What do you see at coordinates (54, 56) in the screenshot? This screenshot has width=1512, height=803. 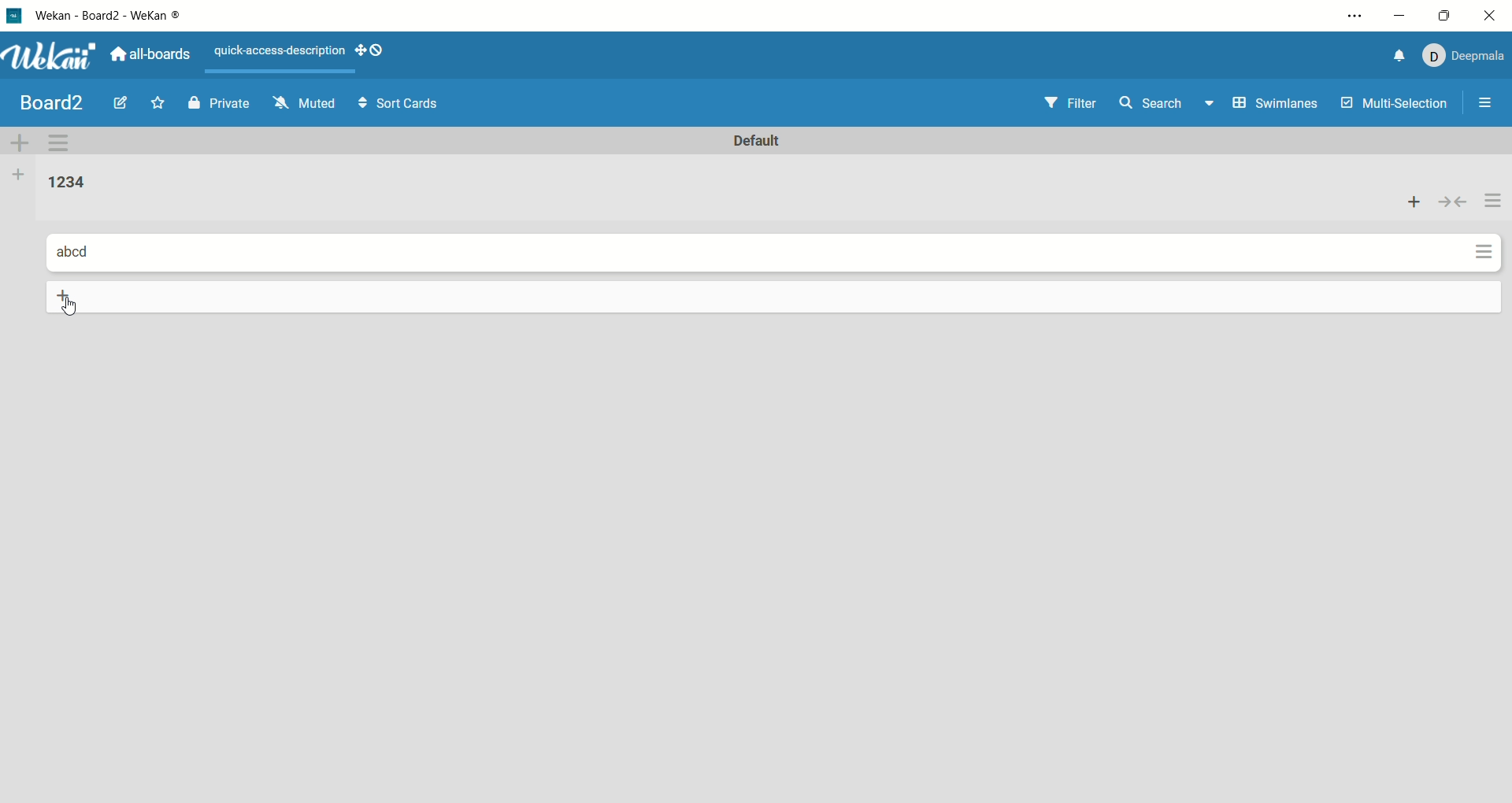 I see `wekan` at bounding box center [54, 56].